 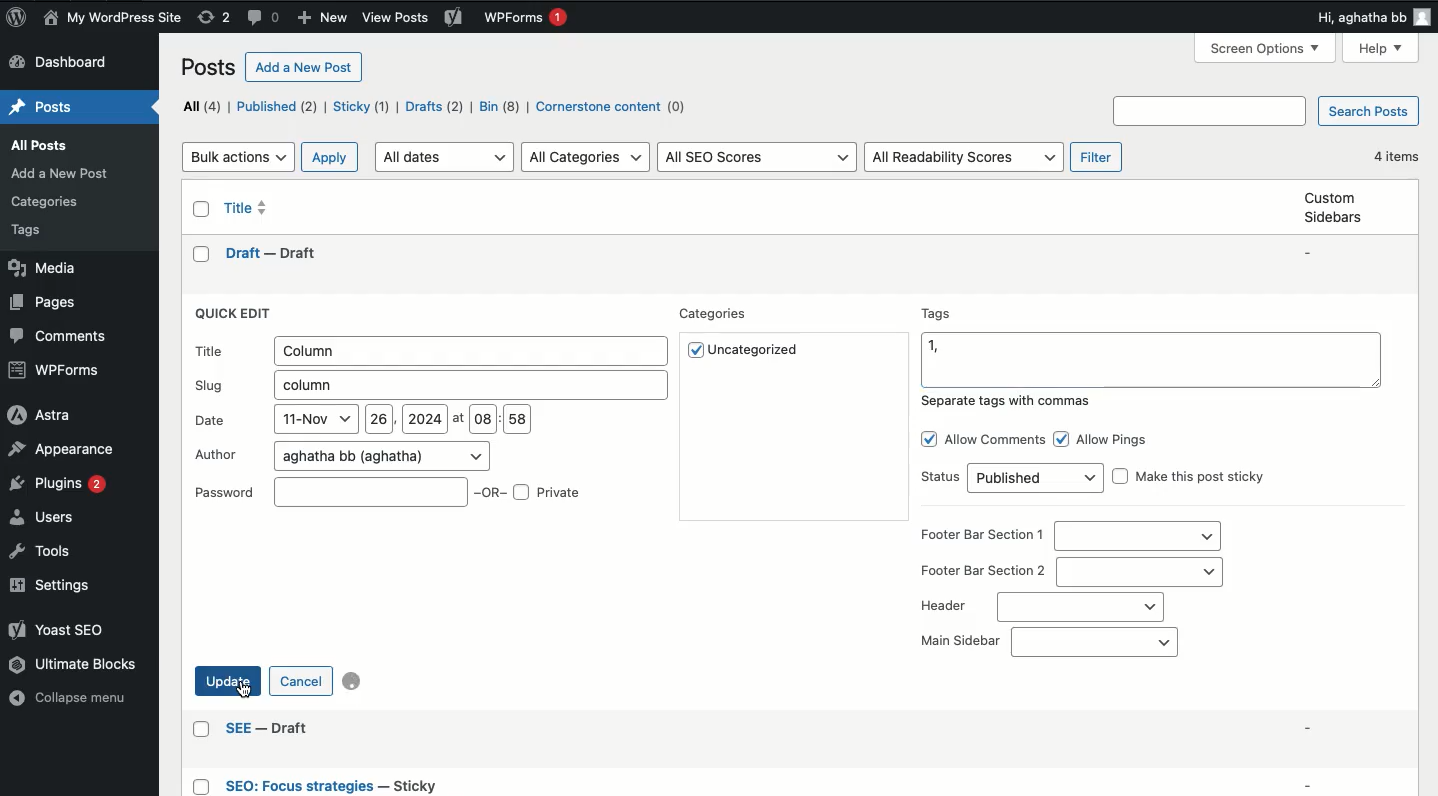 What do you see at coordinates (278, 107) in the screenshot?
I see `Published` at bounding box center [278, 107].